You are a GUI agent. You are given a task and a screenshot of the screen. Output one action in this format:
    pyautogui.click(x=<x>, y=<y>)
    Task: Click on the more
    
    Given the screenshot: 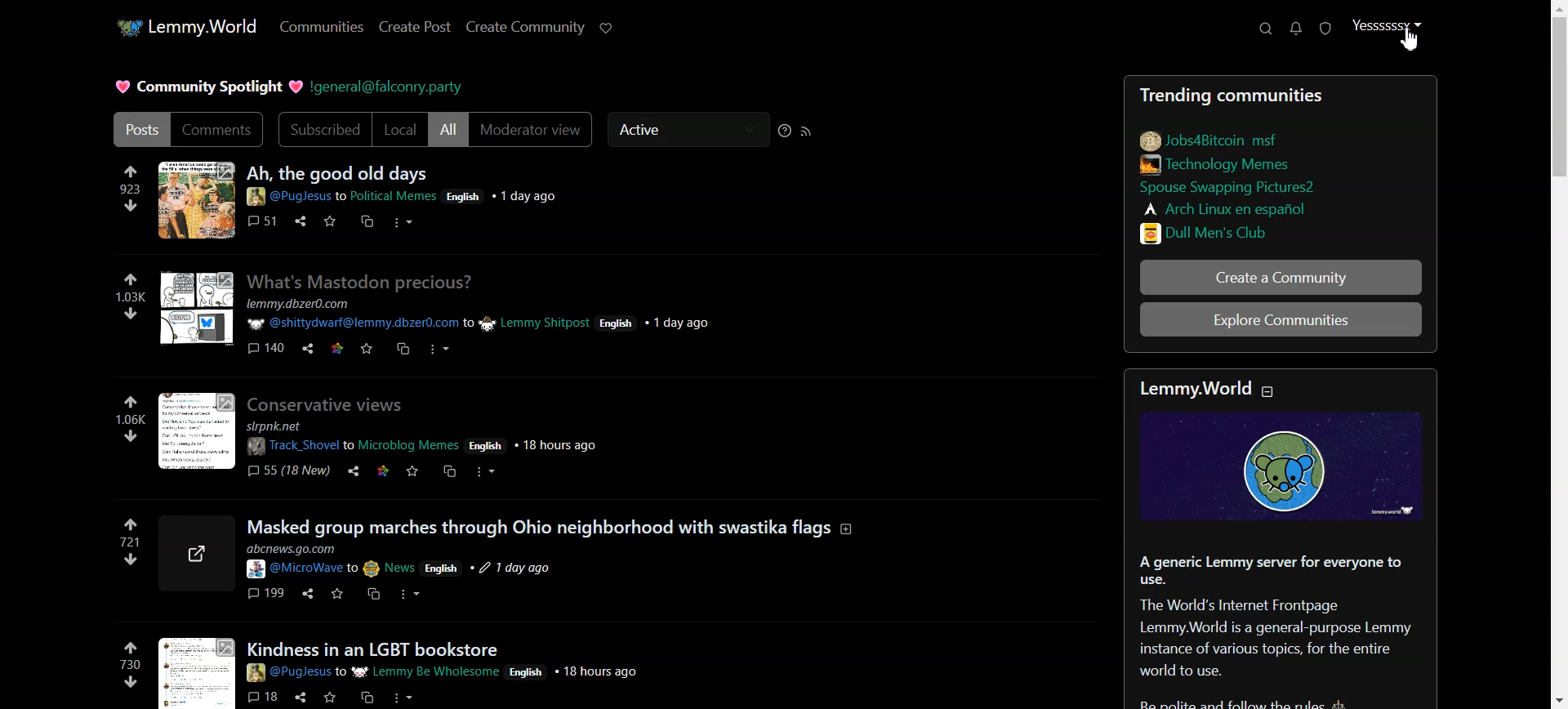 What is the action you would take?
    pyautogui.click(x=484, y=474)
    